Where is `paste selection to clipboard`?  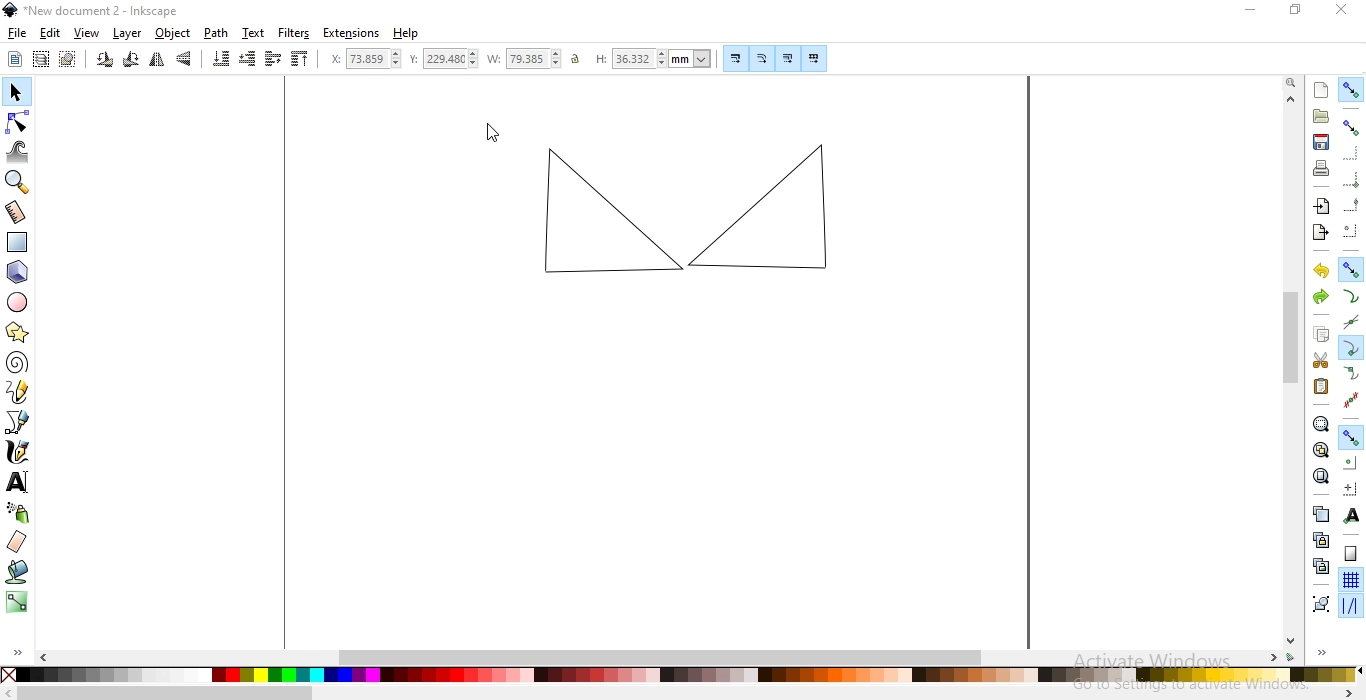 paste selection to clipboard is located at coordinates (1322, 386).